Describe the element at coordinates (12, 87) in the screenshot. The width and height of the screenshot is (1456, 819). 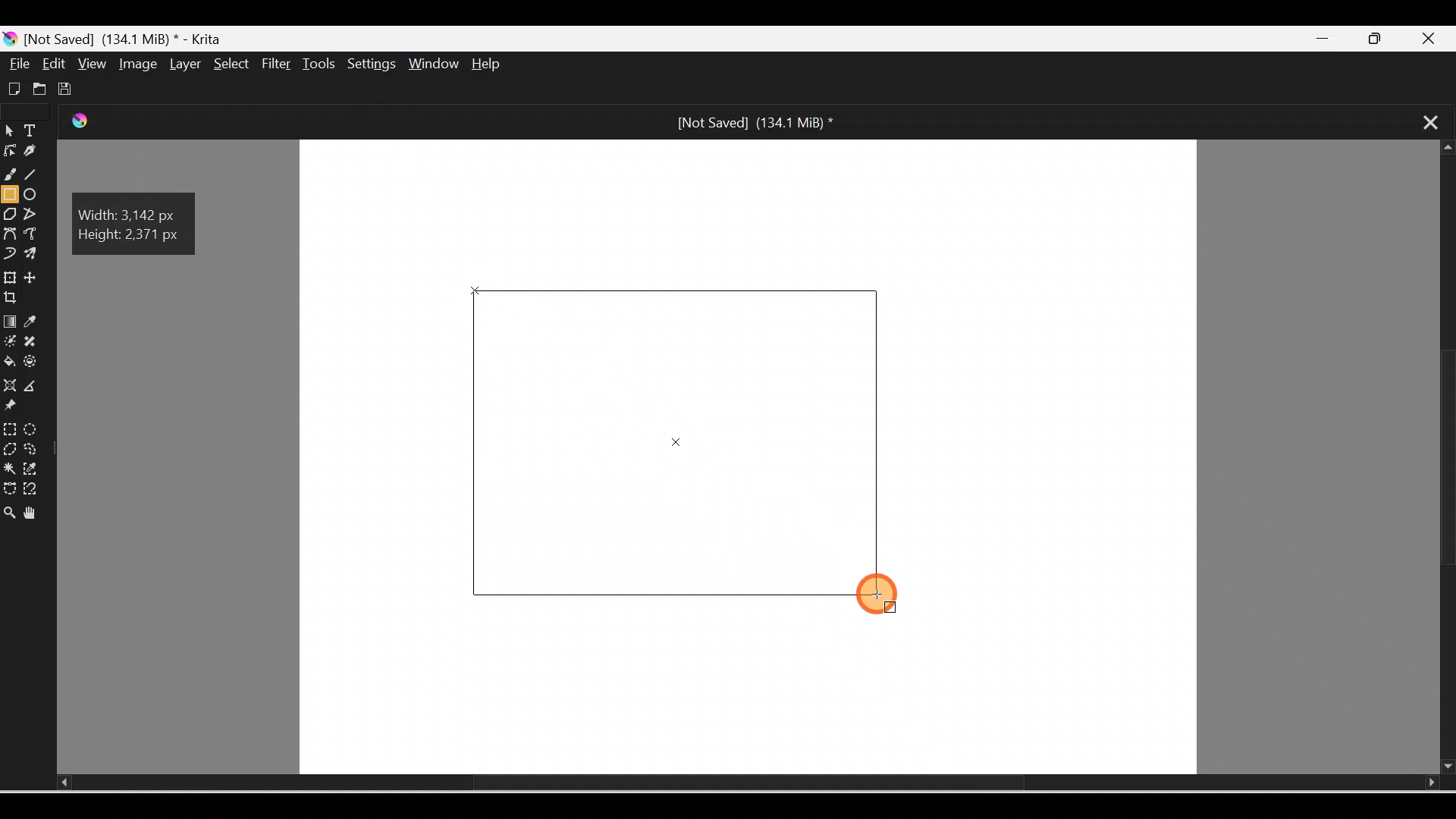
I see `Create new document` at that location.